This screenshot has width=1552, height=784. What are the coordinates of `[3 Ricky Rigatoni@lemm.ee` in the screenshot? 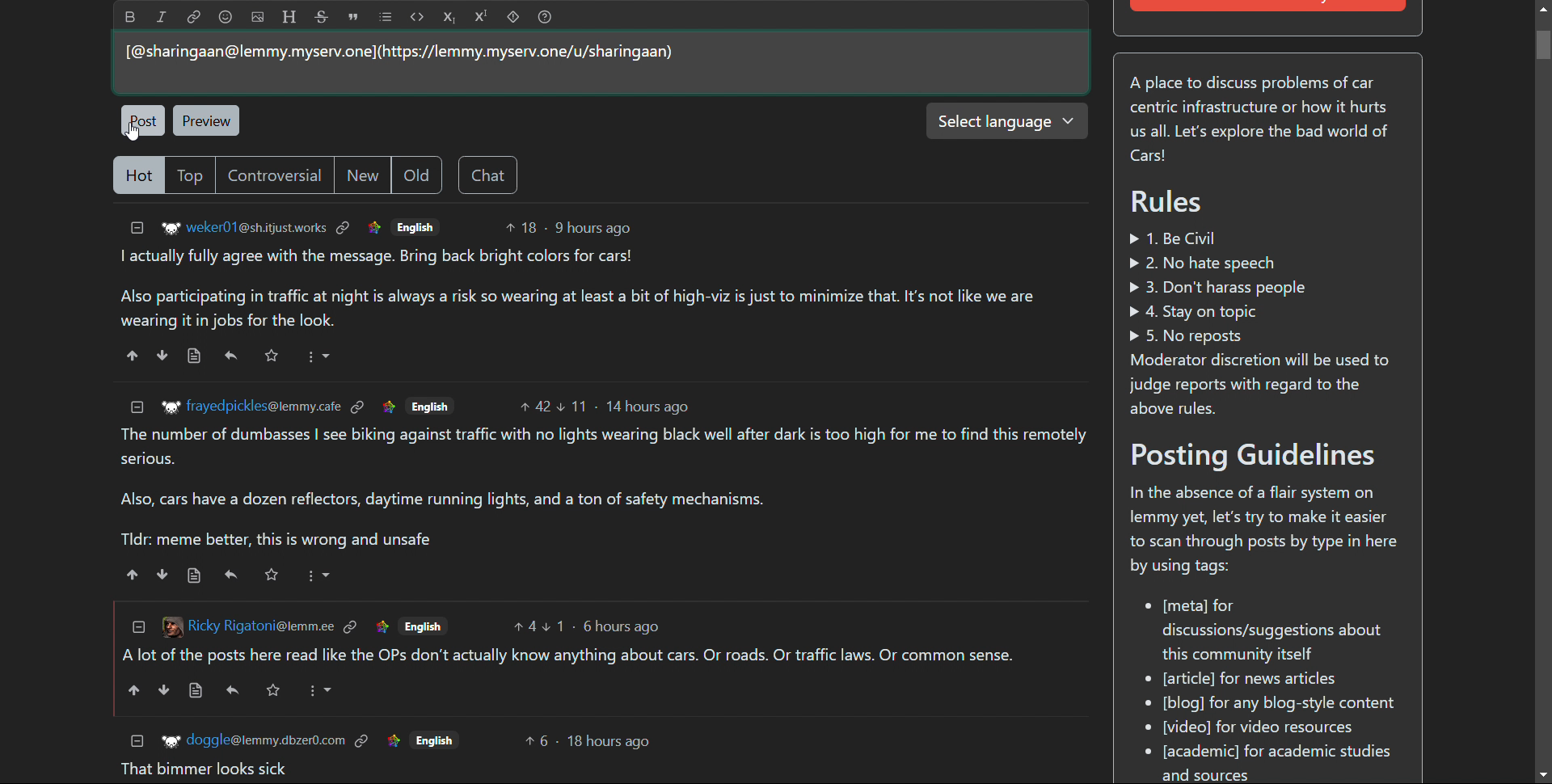 It's located at (245, 625).